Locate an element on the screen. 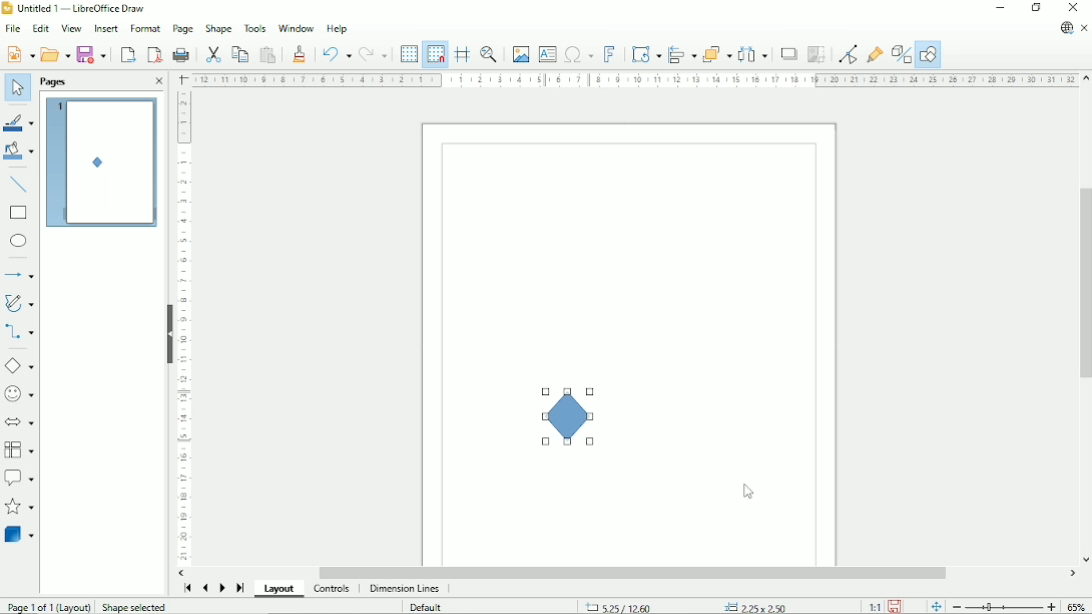  Export is located at coordinates (127, 54).